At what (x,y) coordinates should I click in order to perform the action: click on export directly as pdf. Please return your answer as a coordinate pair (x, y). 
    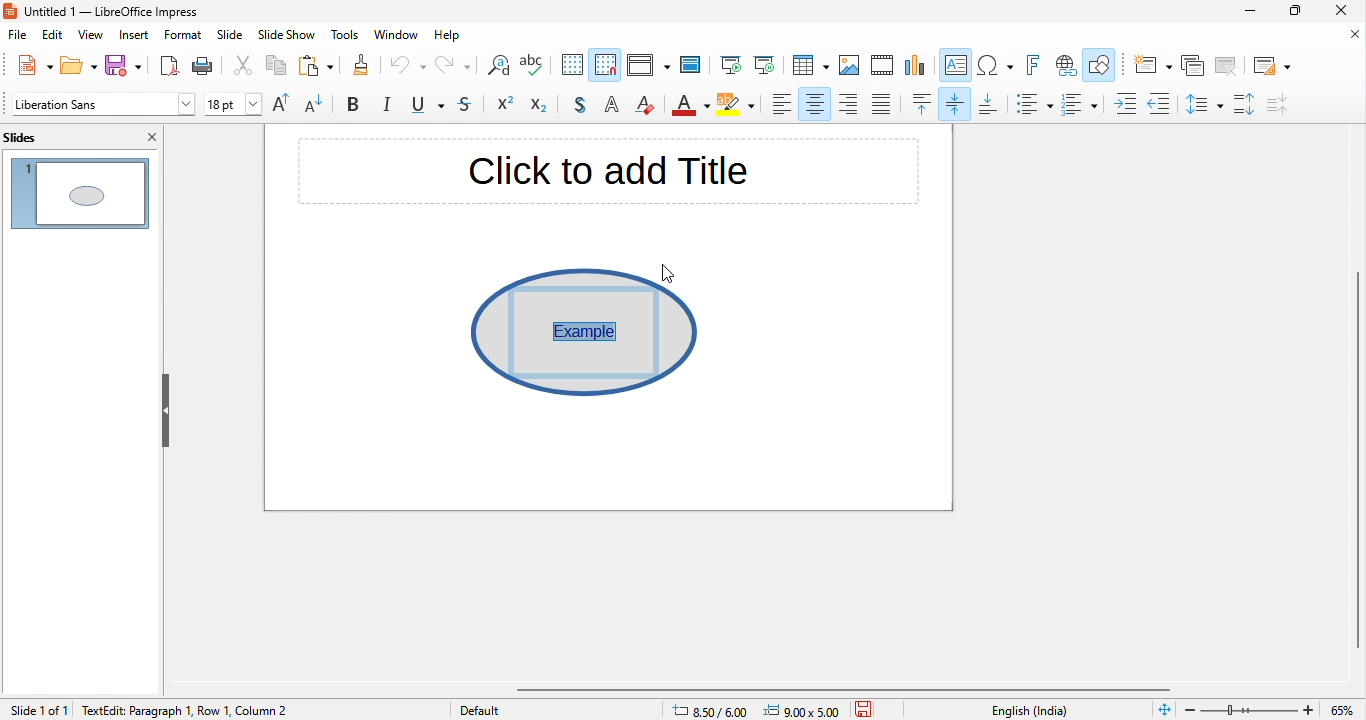
    Looking at the image, I should click on (167, 66).